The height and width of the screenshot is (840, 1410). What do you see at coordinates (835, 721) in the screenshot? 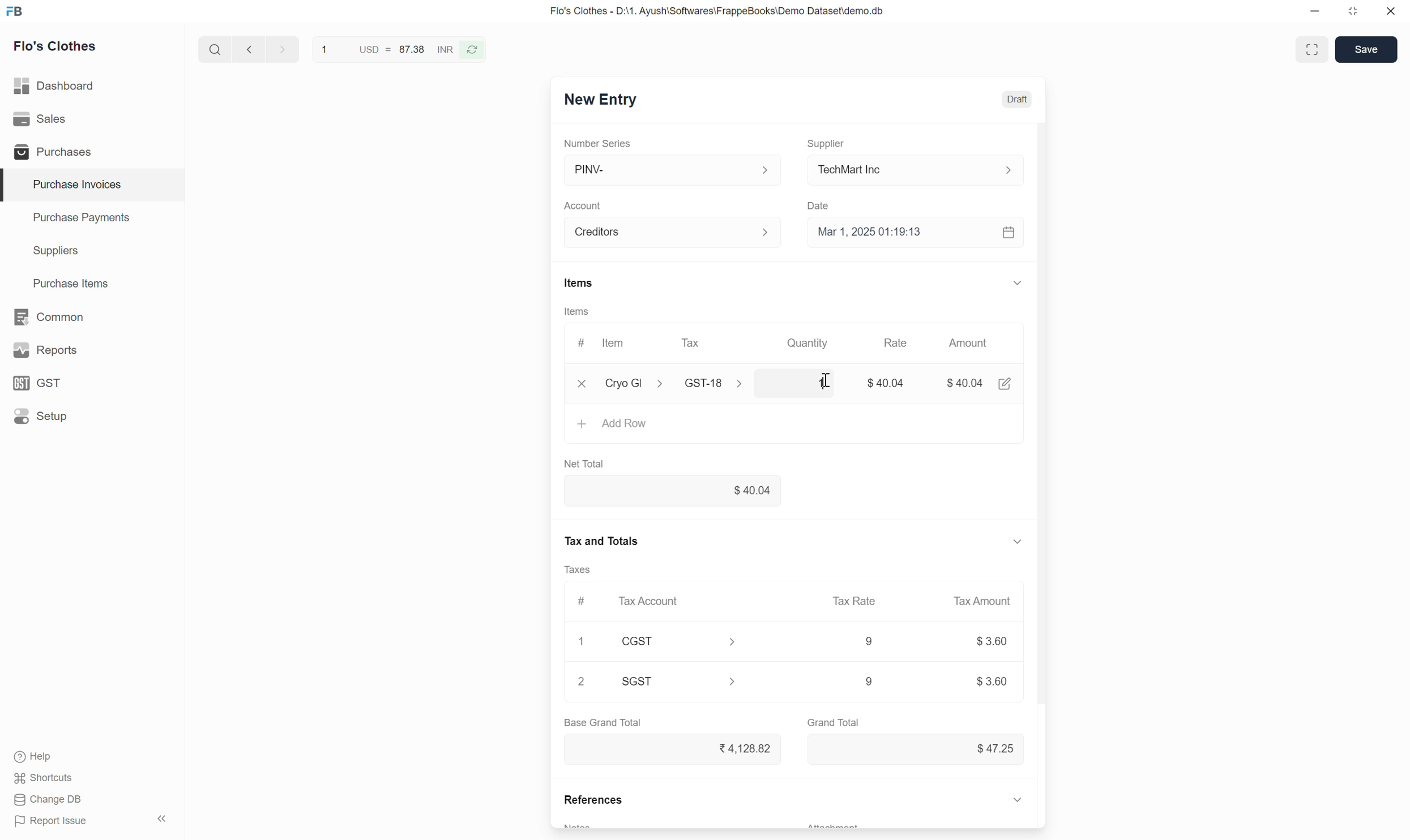
I see `Grand Total` at bounding box center [835, 721].